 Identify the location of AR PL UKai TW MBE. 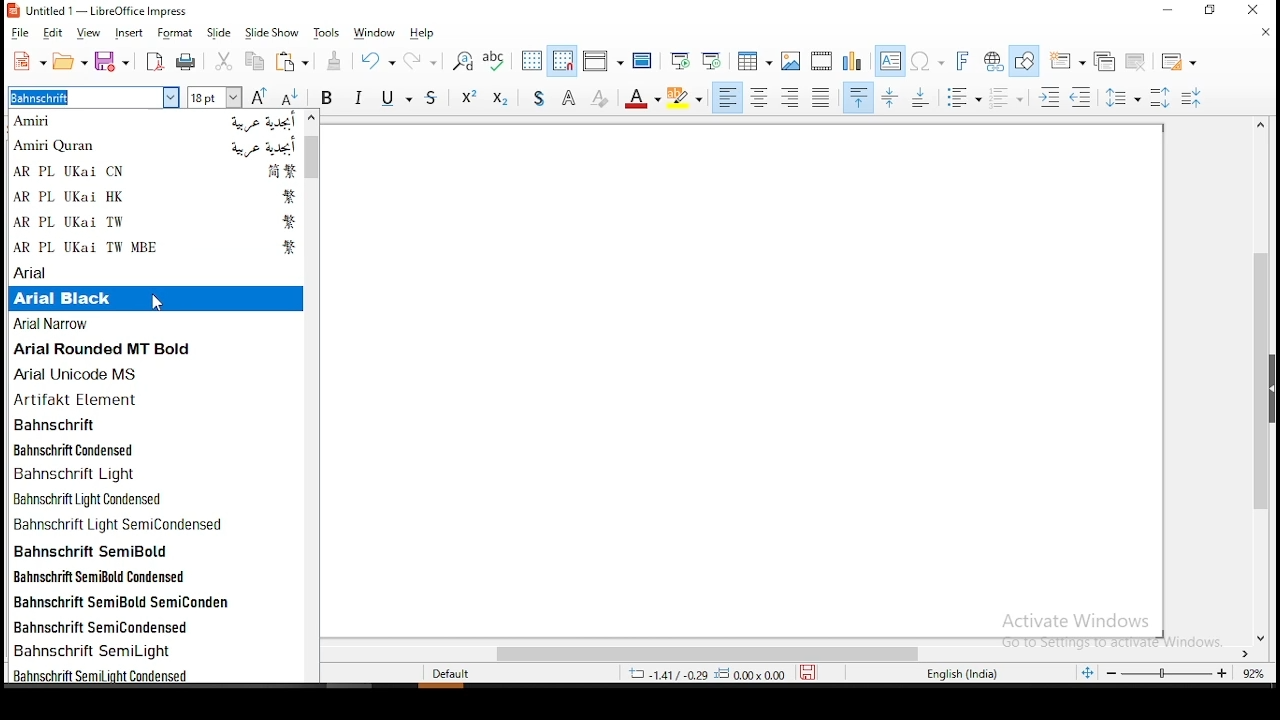
(157, 248).